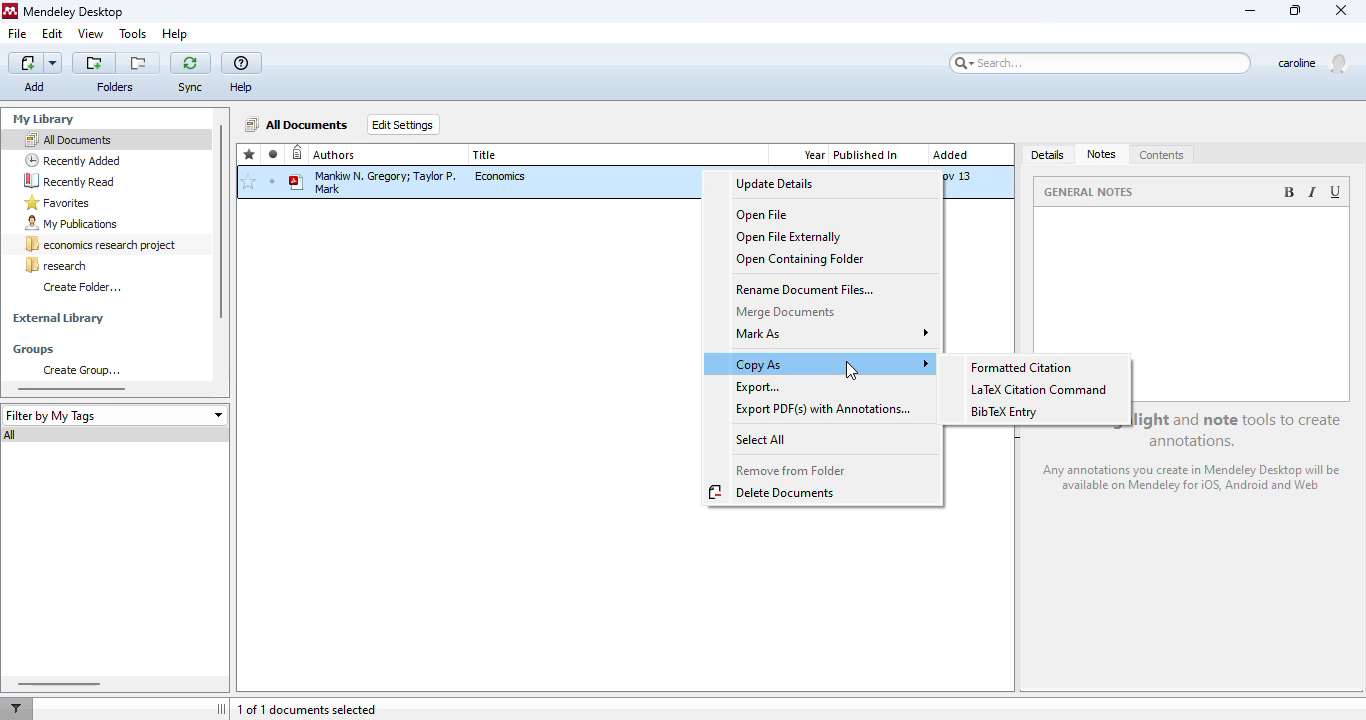 The width and height of the screenshot is (1366, 720). I want to click on toggle sidebar, so click(223, 709).